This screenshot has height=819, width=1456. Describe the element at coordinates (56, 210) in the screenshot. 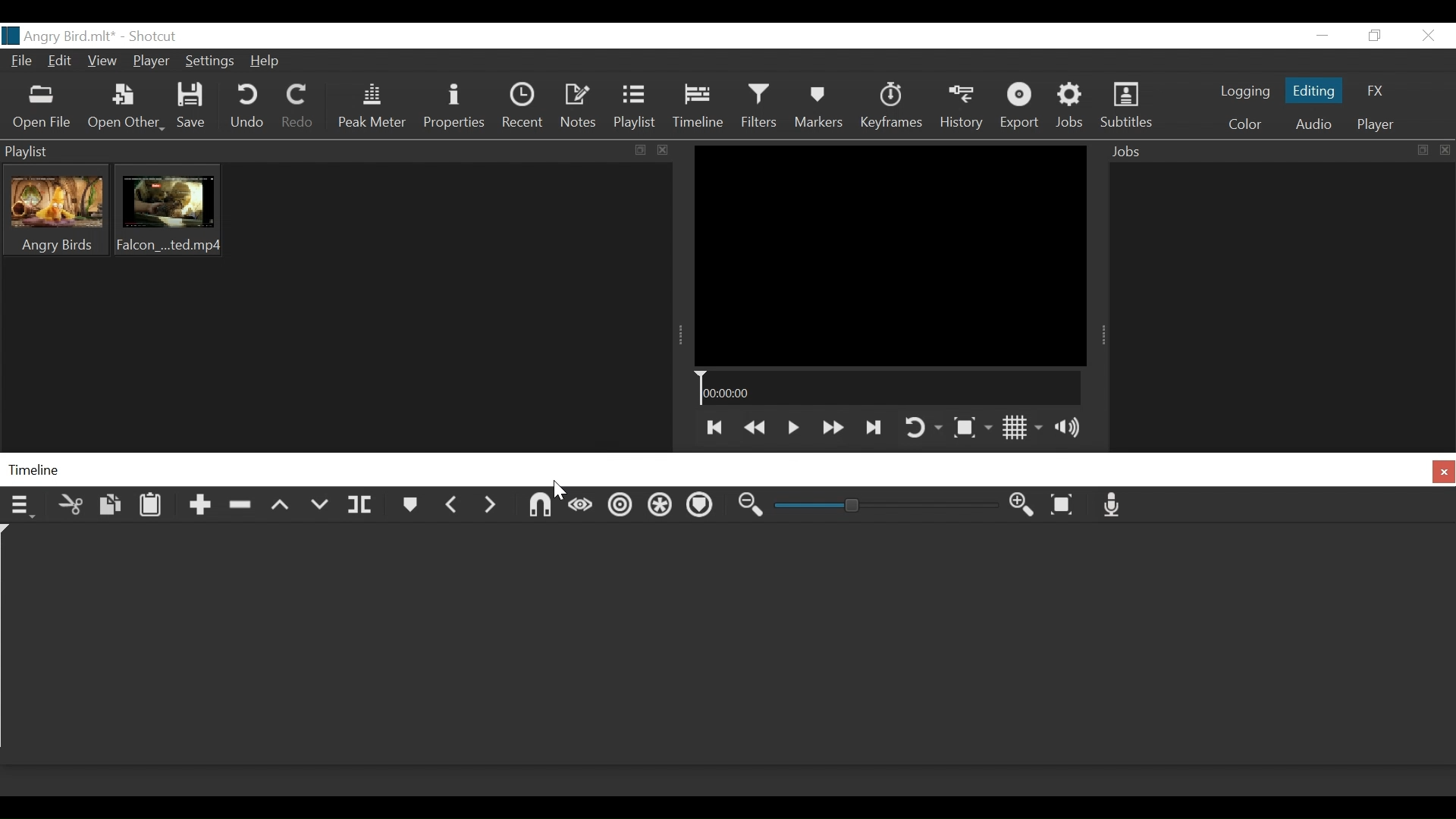

I see `Clip` at that location.